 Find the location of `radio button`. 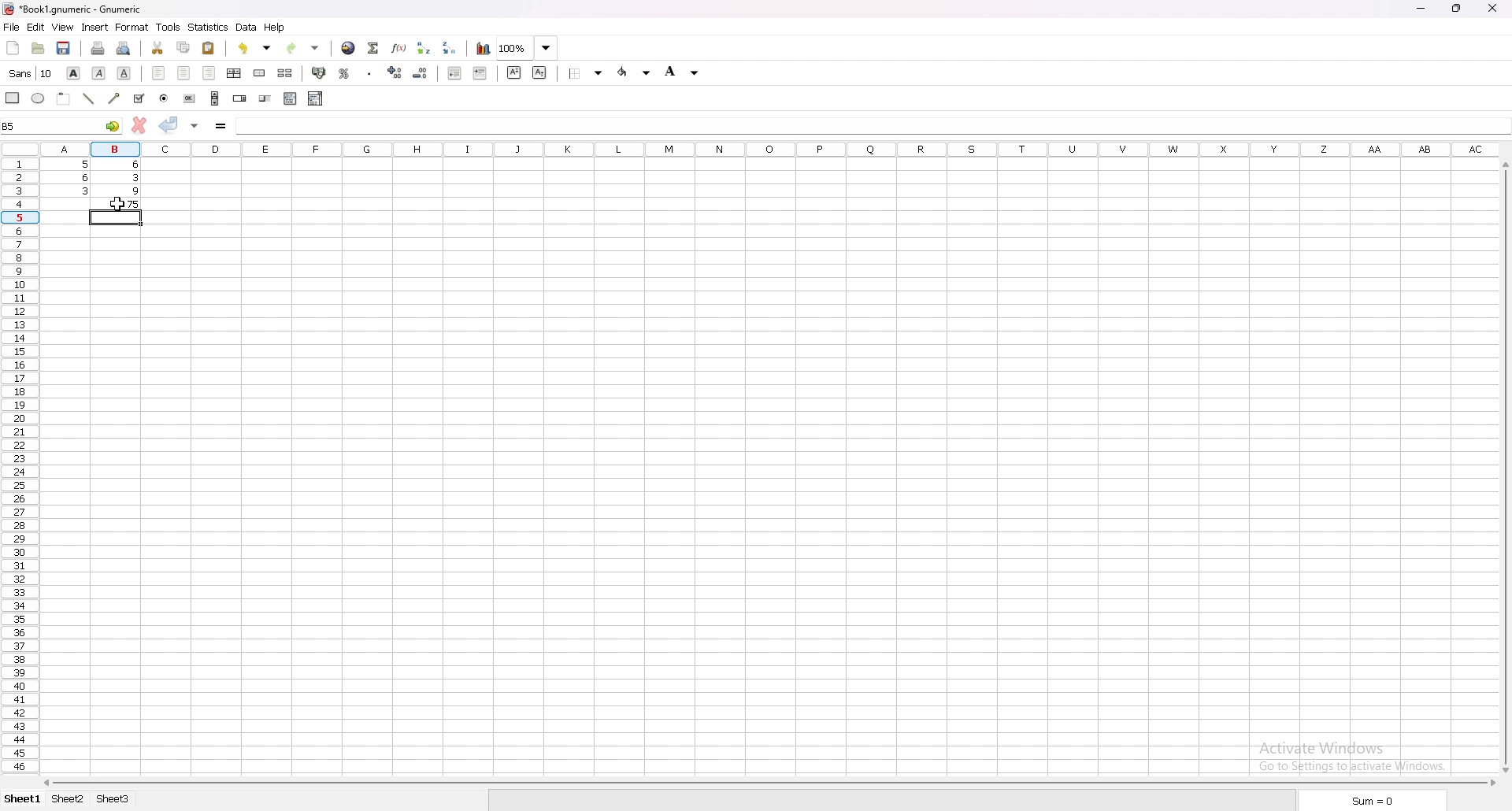

radio button is located at coordinates (165, 98).